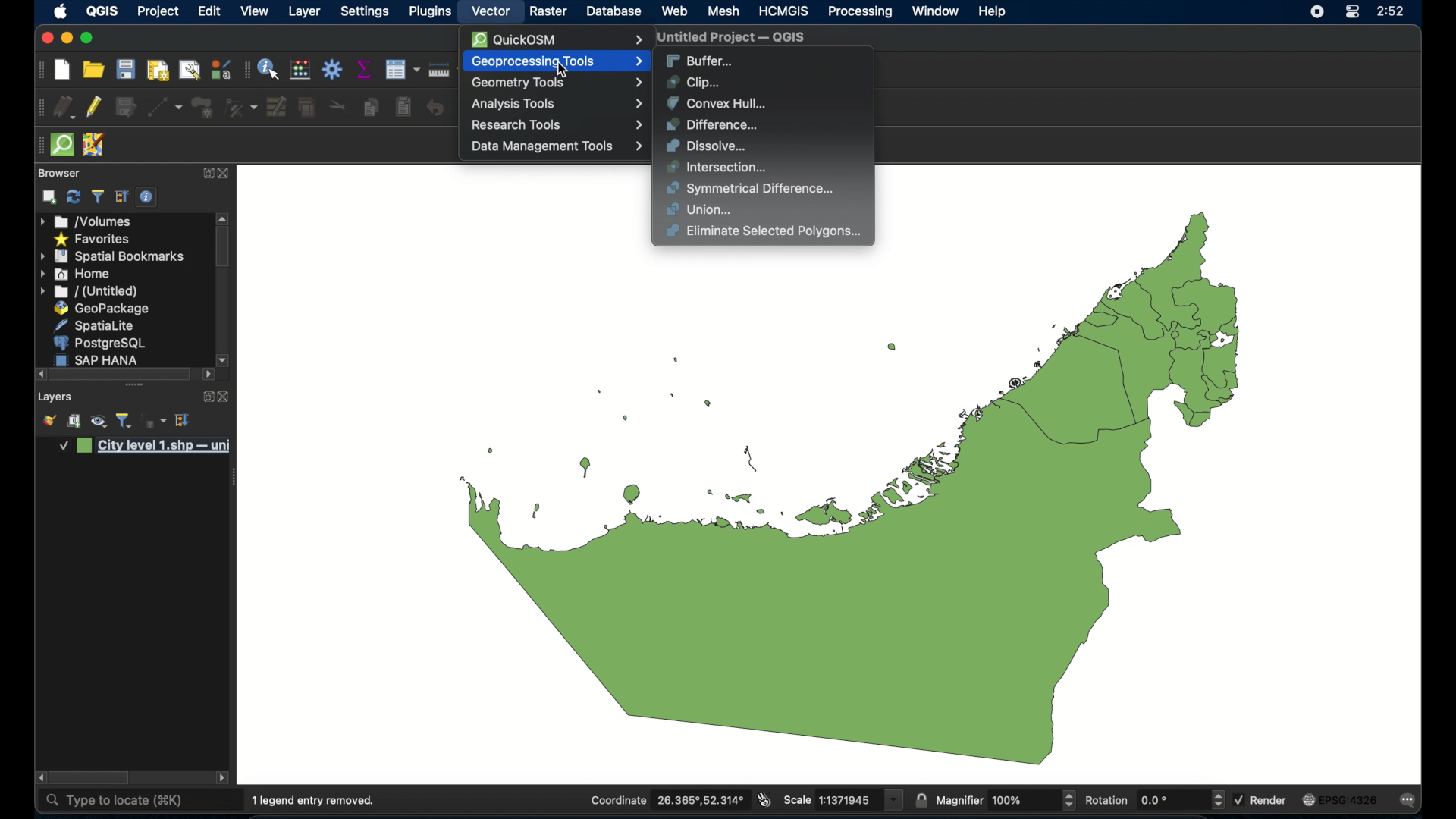 This screenshot has width=1456, height=819. Describe the element at coordinates (701, 210) in the screenshot. I see `union` at that location.